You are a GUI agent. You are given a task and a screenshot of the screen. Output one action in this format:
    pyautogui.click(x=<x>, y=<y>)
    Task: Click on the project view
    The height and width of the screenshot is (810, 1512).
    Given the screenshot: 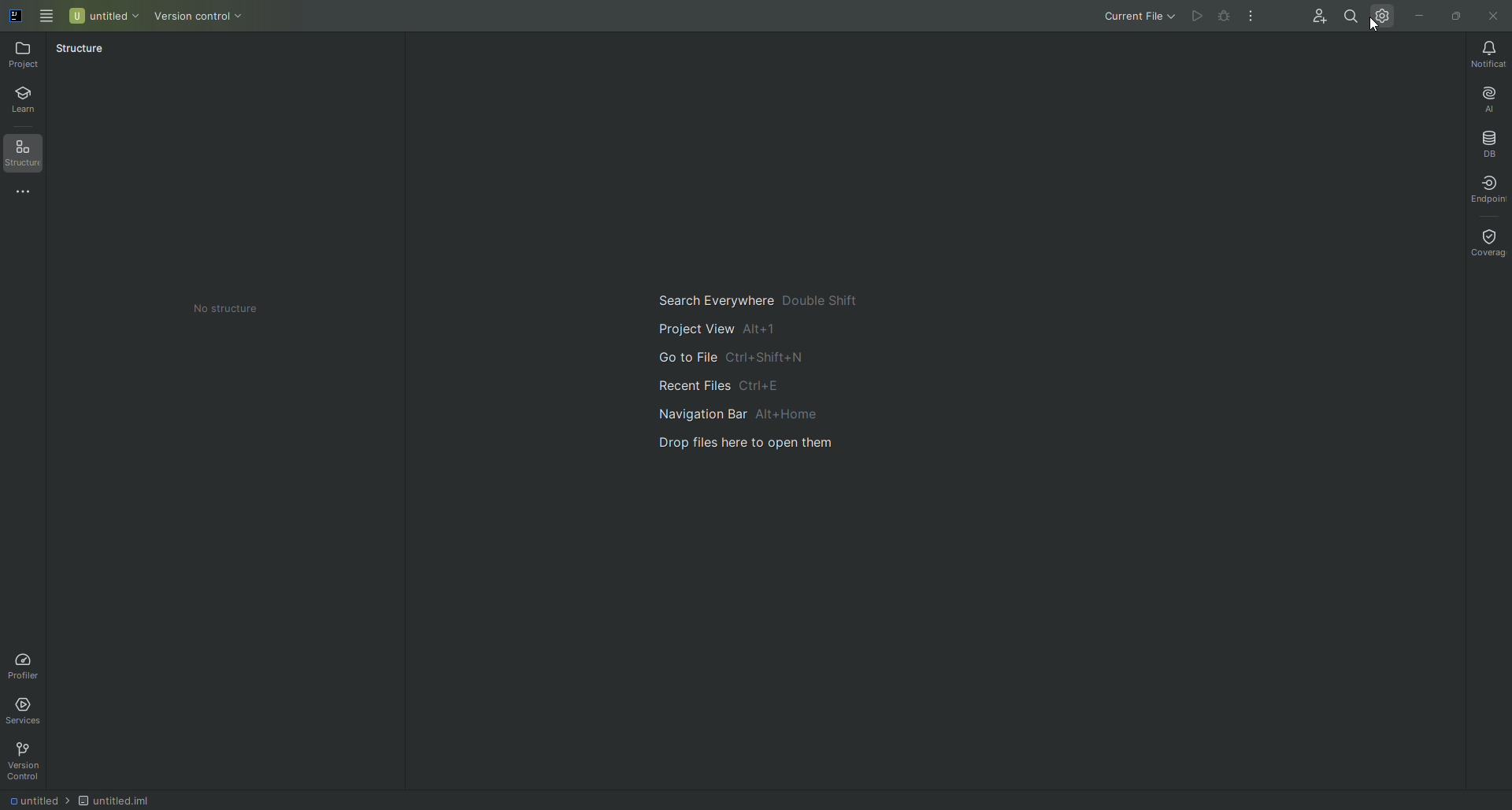 What is the action you would take?
    pyautogui.click(x=758, y=329)
    